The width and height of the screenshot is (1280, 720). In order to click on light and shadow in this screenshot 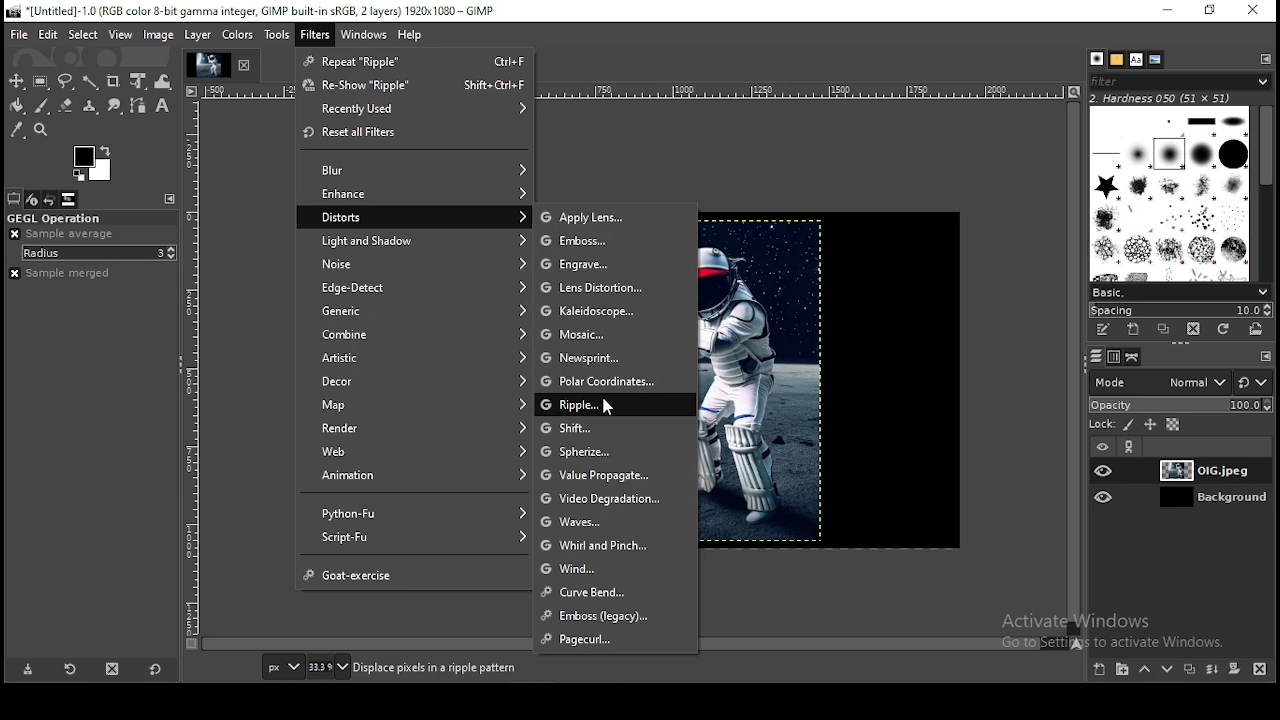, I will do `click(424, 240)`.